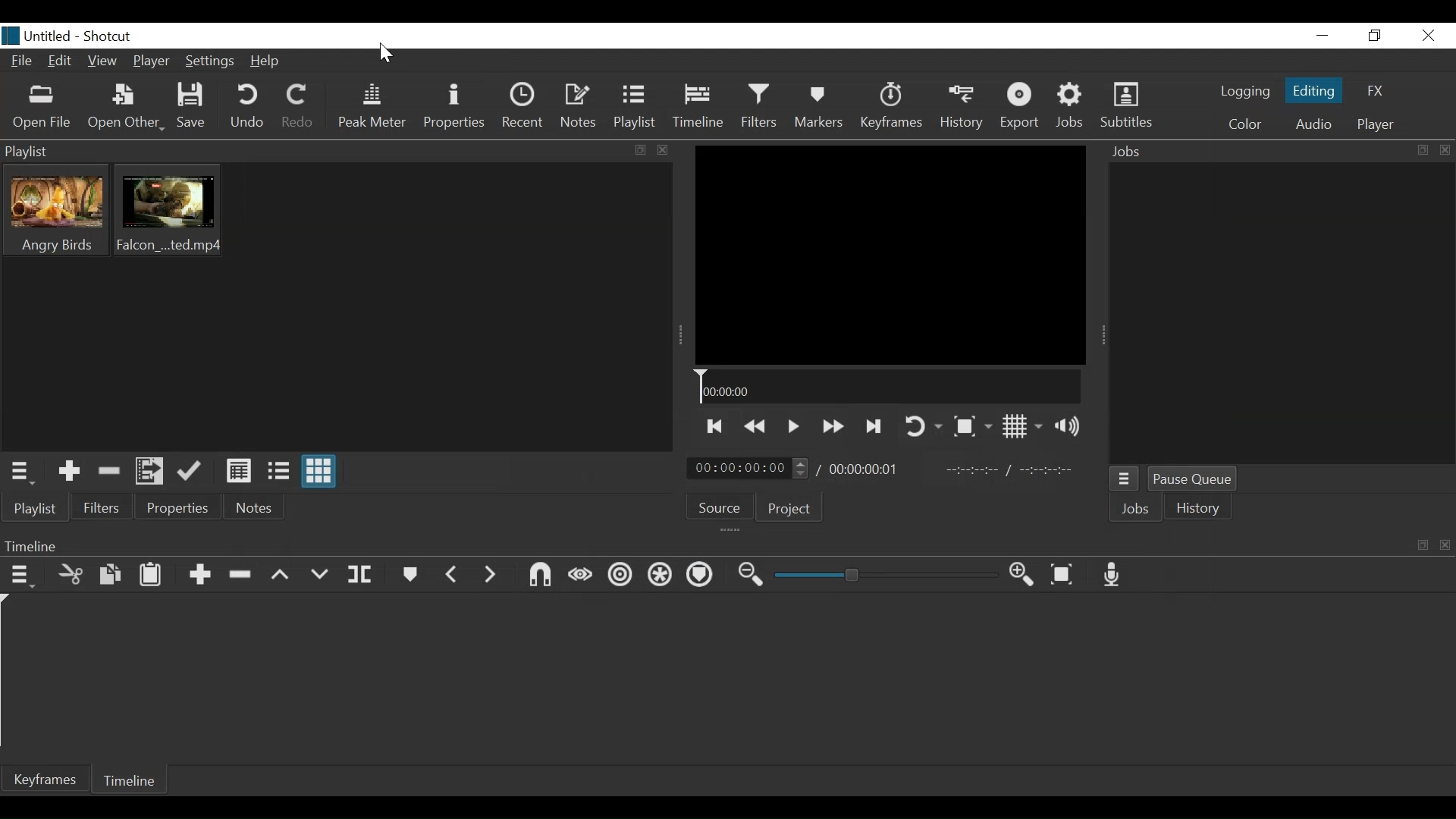 This screenshot has width=1456, height=819. What do you see at coordinates (1075, 105) in the screenshot?
I see `Jobs` at bounding box center [1075, 105].